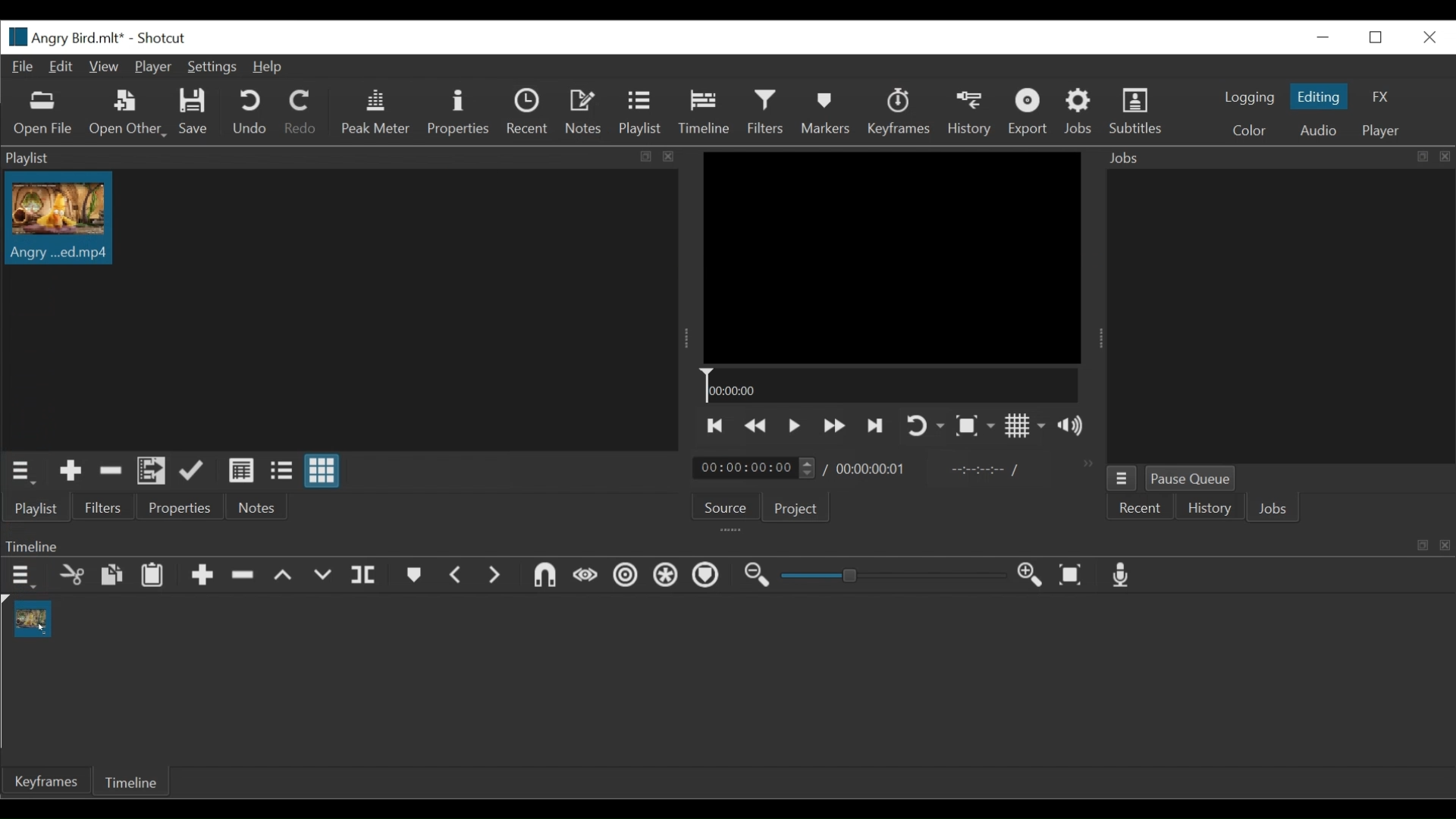 Image resolution: width=1456 pixels, height=819 pixels. Describe the element at coordinates (620, 578) in the screenshot. I see `Set Second Simple Keyframe` at that location.